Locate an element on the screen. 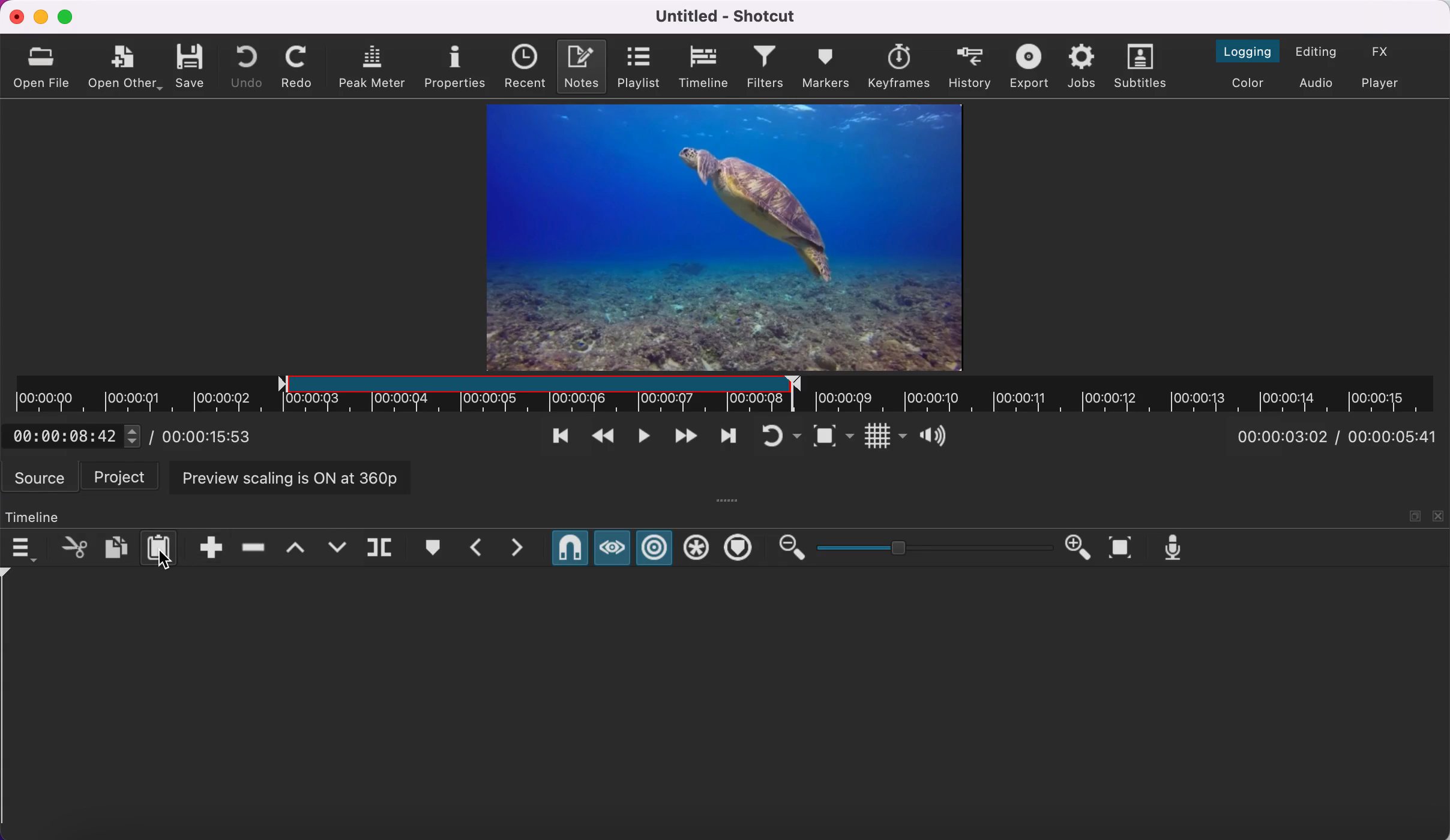  project is located at coordinates (121, 477).